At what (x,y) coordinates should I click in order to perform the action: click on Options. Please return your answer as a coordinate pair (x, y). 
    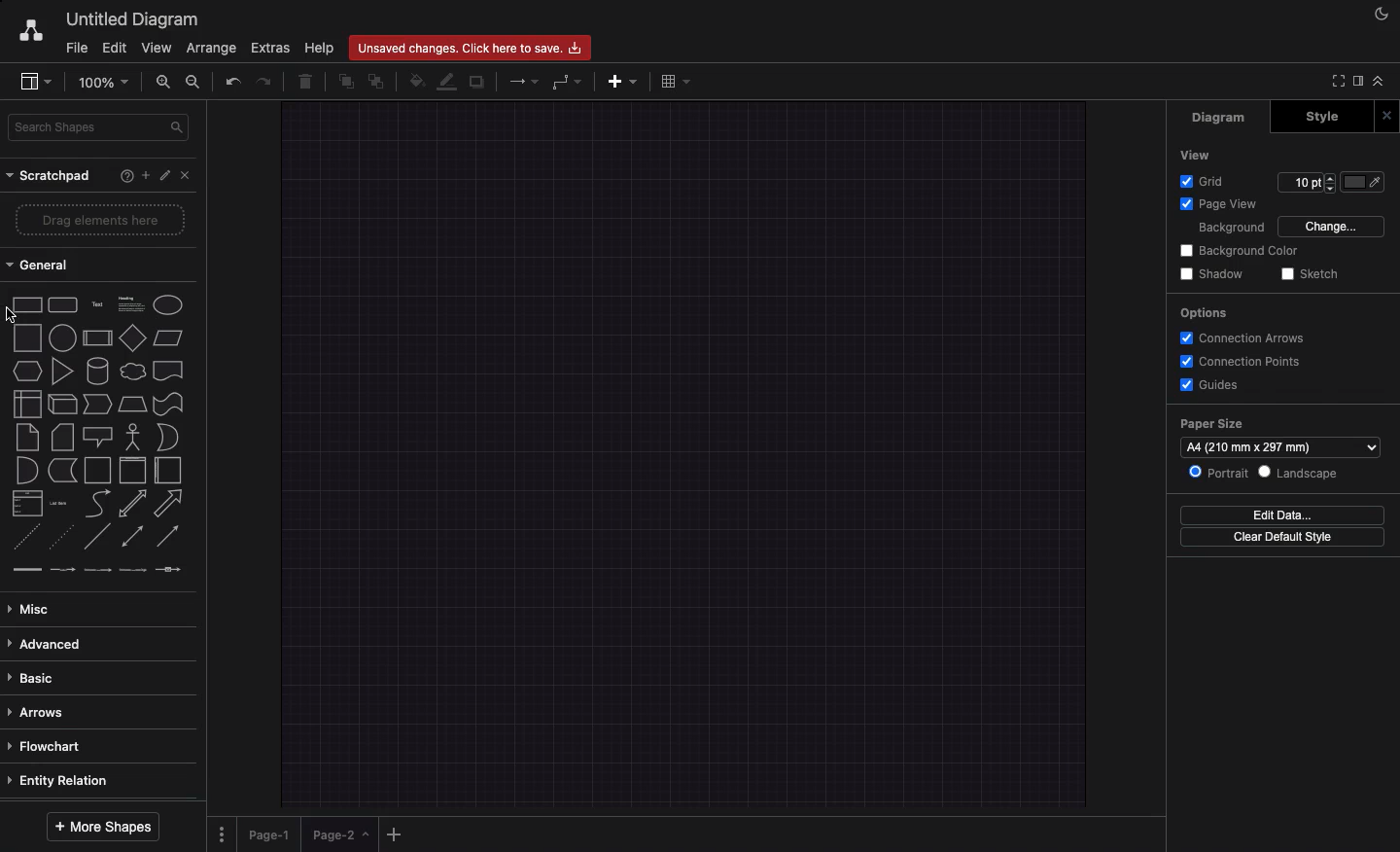
    Looking at the image, I should click on (1206, 312).